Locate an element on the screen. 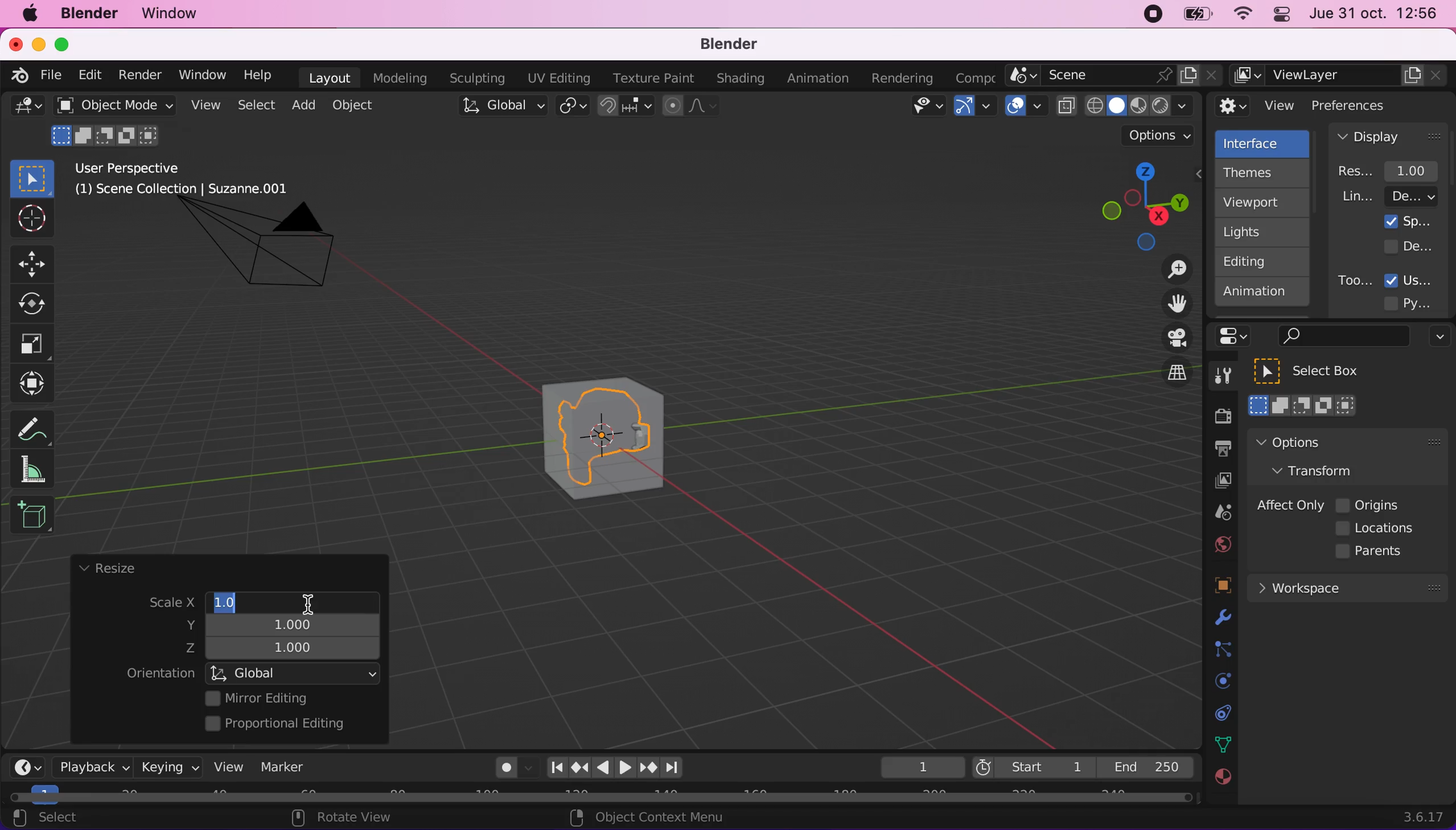  global is located at coordinates (500, 108).